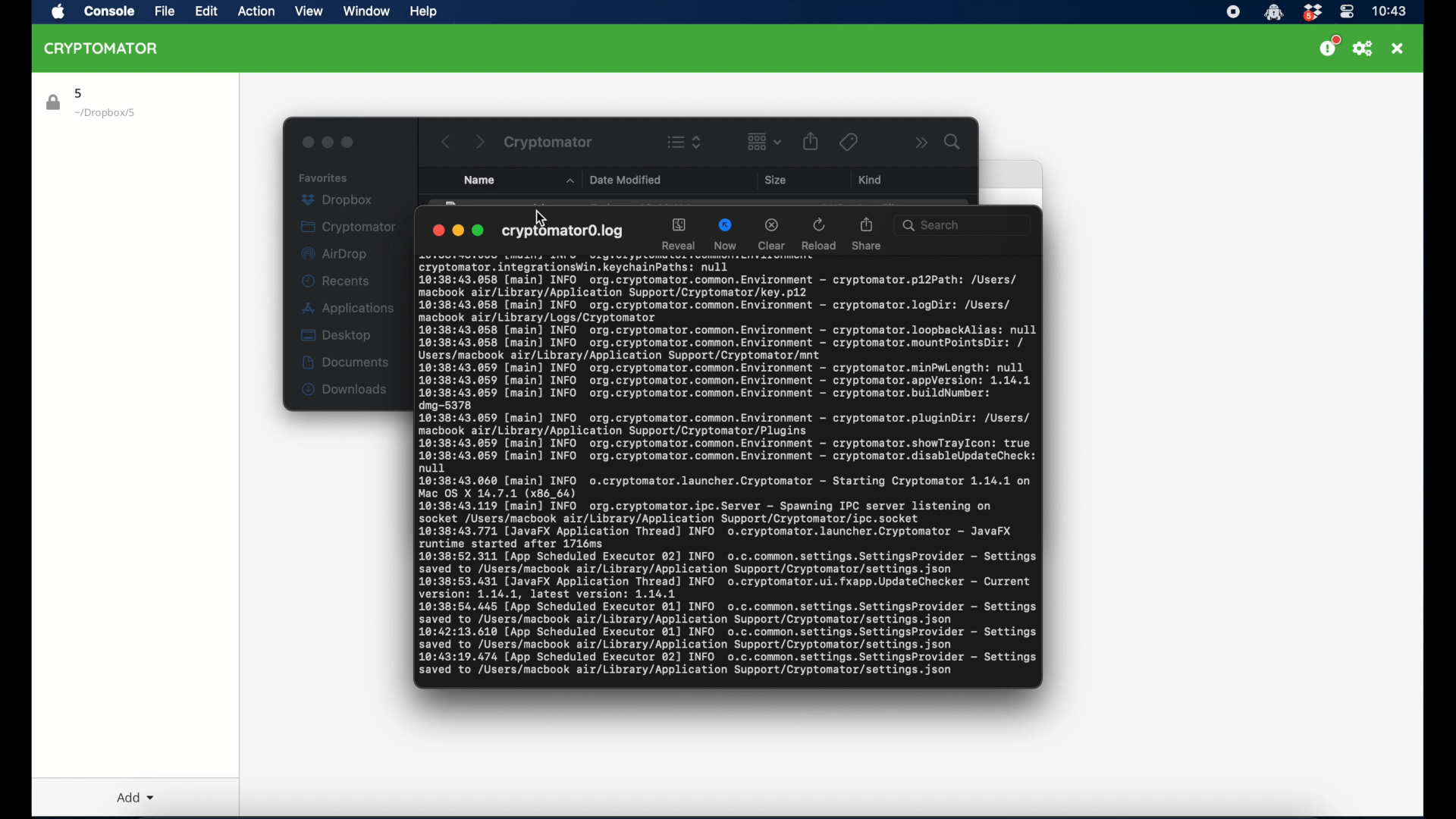 This screenshot has height=819, width=1456. Describe the element at coordinates (679, 246) in the screenshot. I see `reveal` at that location.